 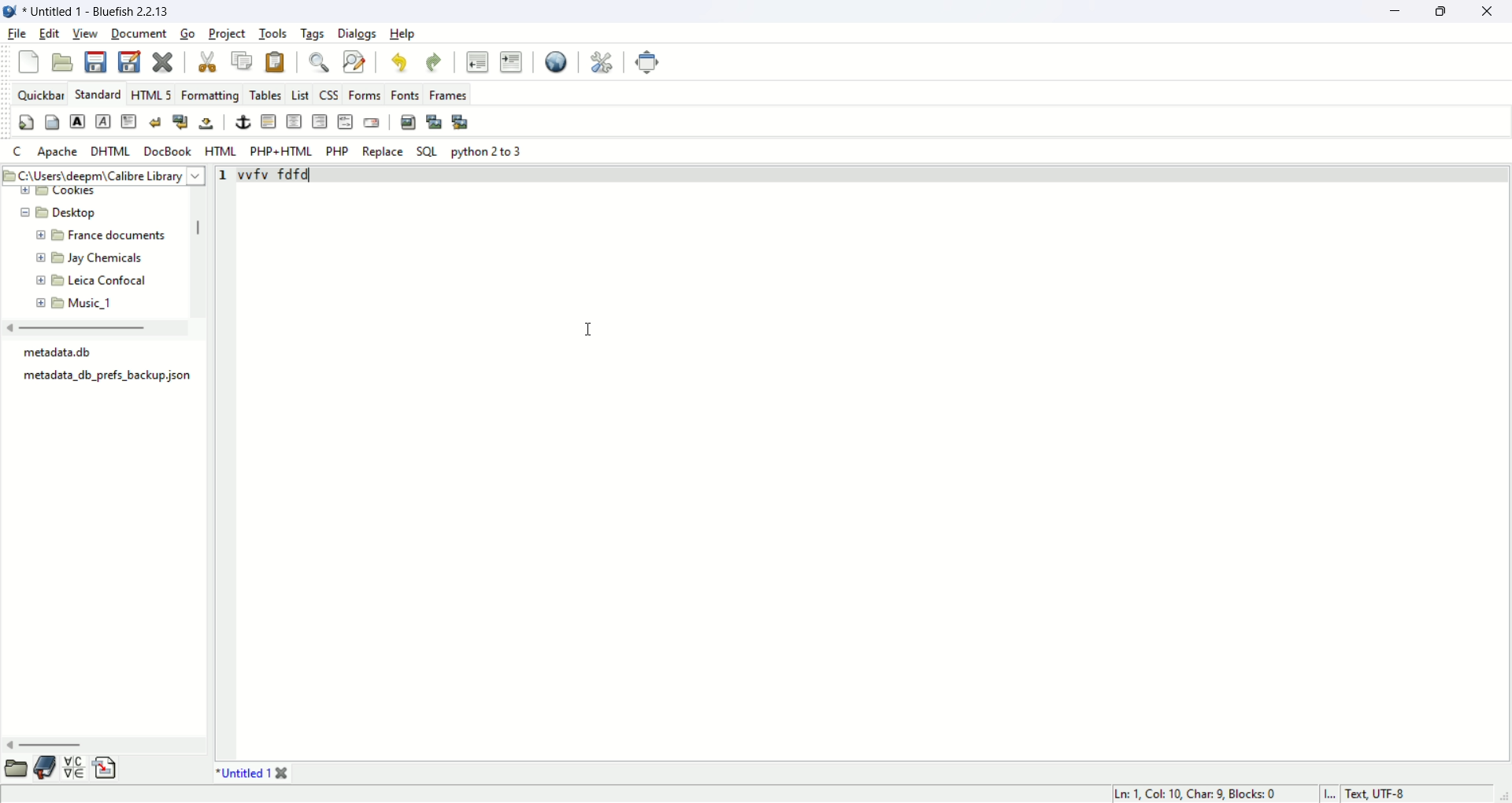 What do you see at coordinates (62, 63) in the screenshot?
I see `open` at bounding box center [62, 63].